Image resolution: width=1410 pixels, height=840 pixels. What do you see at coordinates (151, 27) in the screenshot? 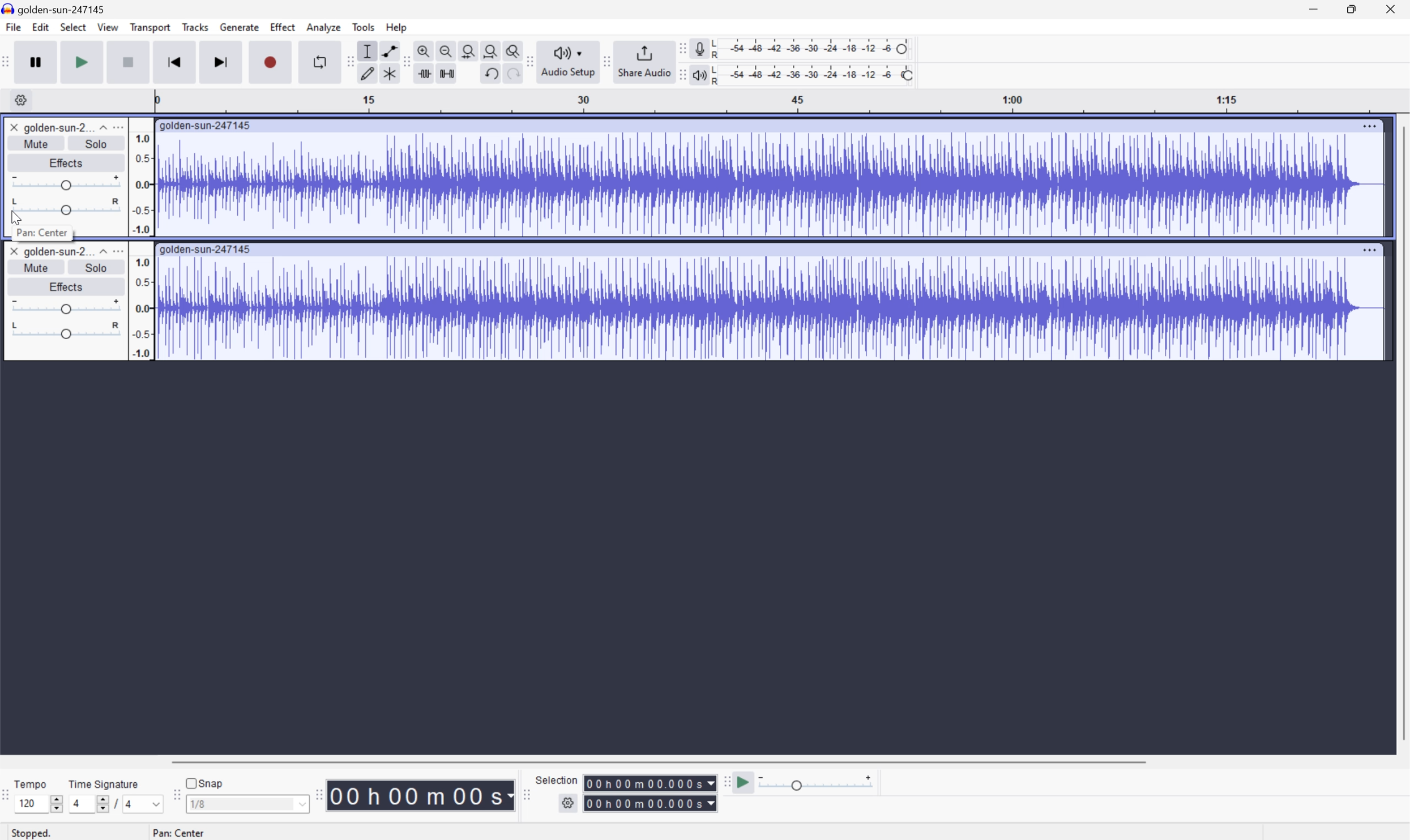
I see `Transport` at bounding box center [151, 27].